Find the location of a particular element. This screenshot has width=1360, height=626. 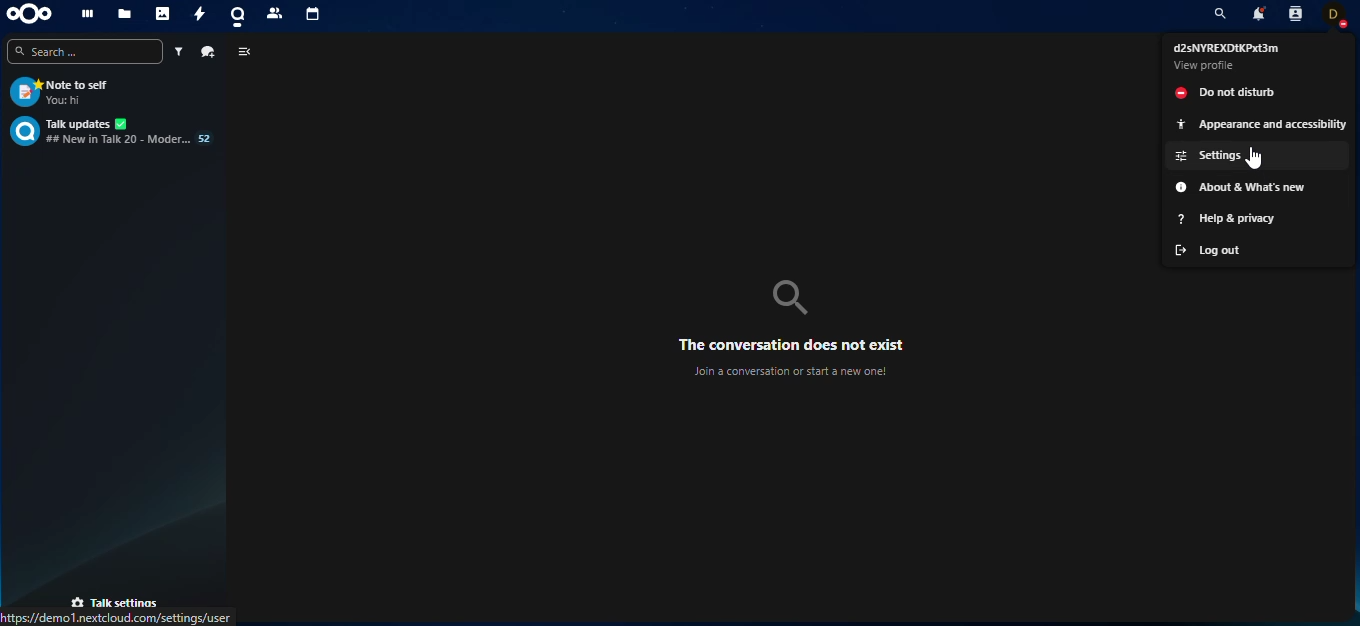

dashboard is located at coordinates (87, 14).